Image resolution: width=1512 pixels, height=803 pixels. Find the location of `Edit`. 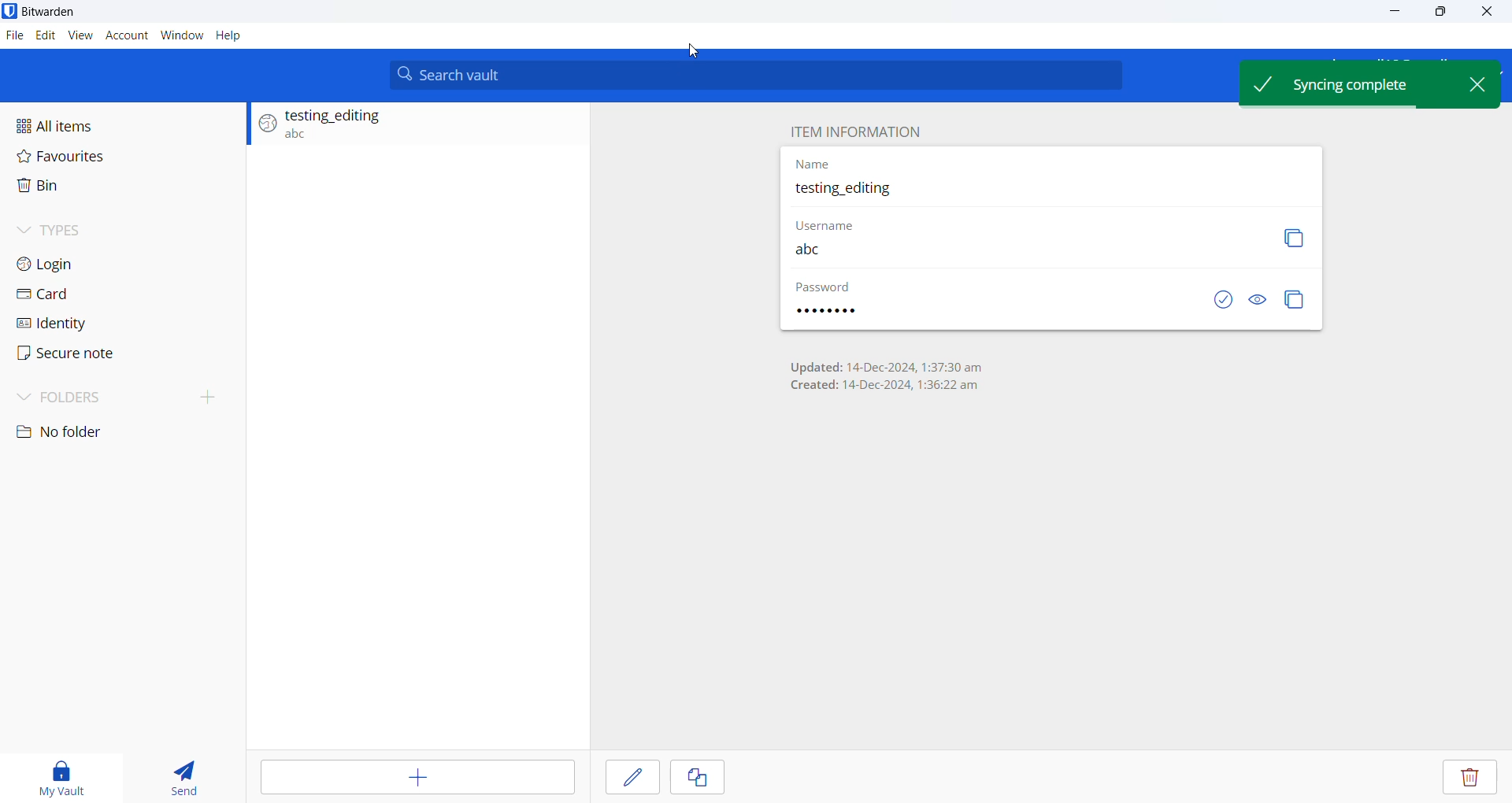

Edit is located at coordinates (45, 36).